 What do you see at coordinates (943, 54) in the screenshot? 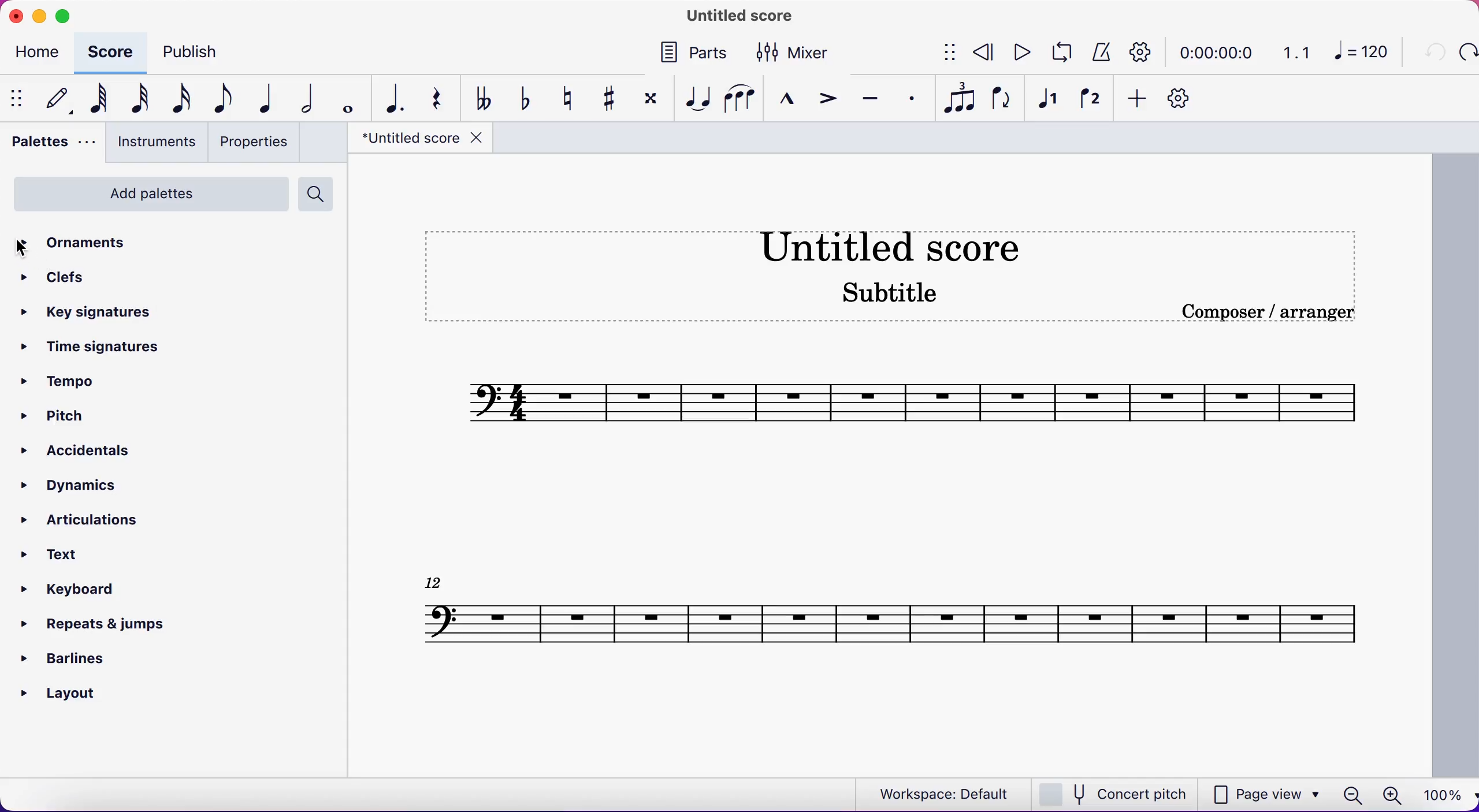
I see `show/hide` at bounding box center [943, 54].